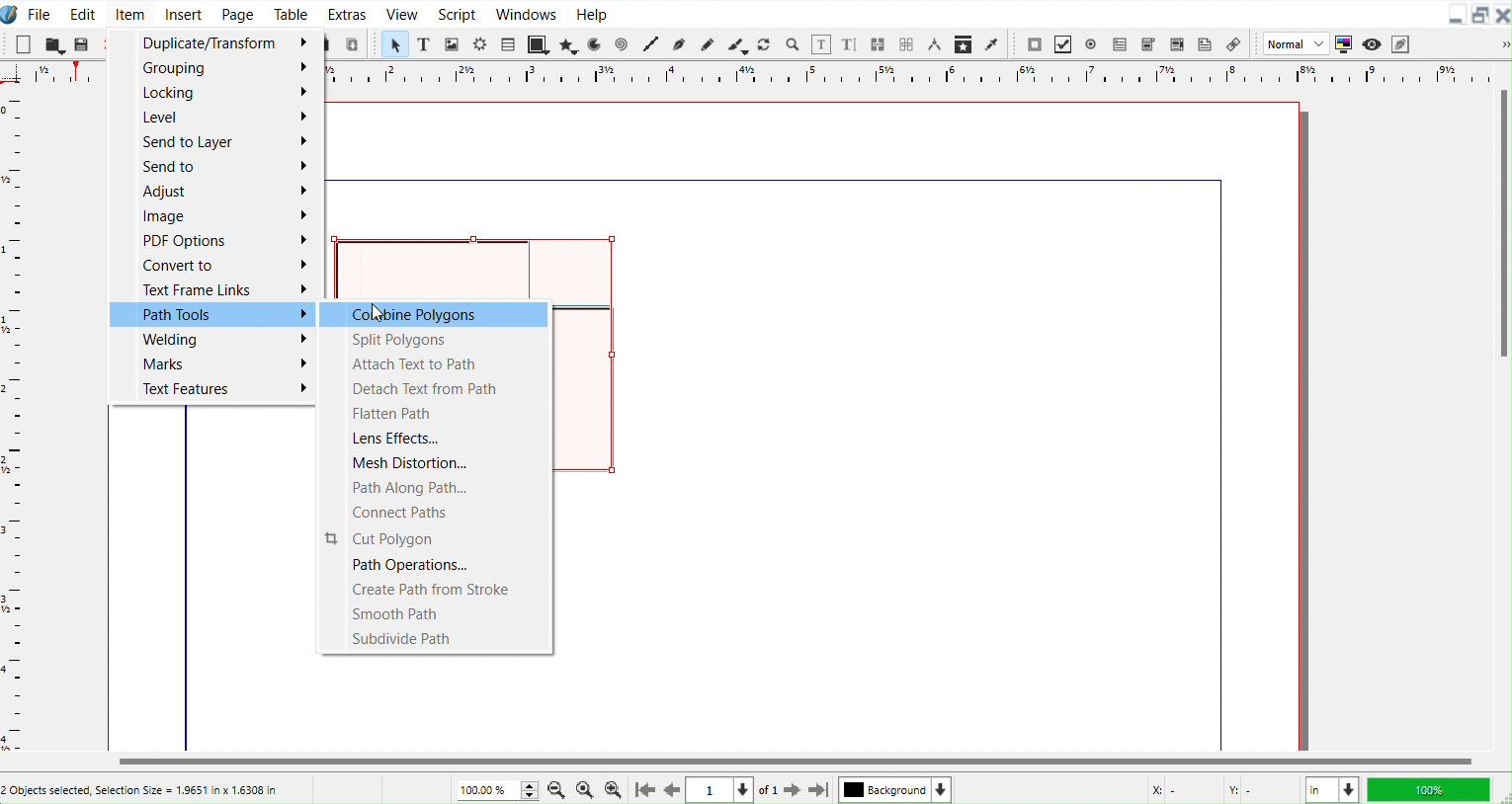 This screenshot has width=1512, height=804. I want to click on Script, so click(458, 13).